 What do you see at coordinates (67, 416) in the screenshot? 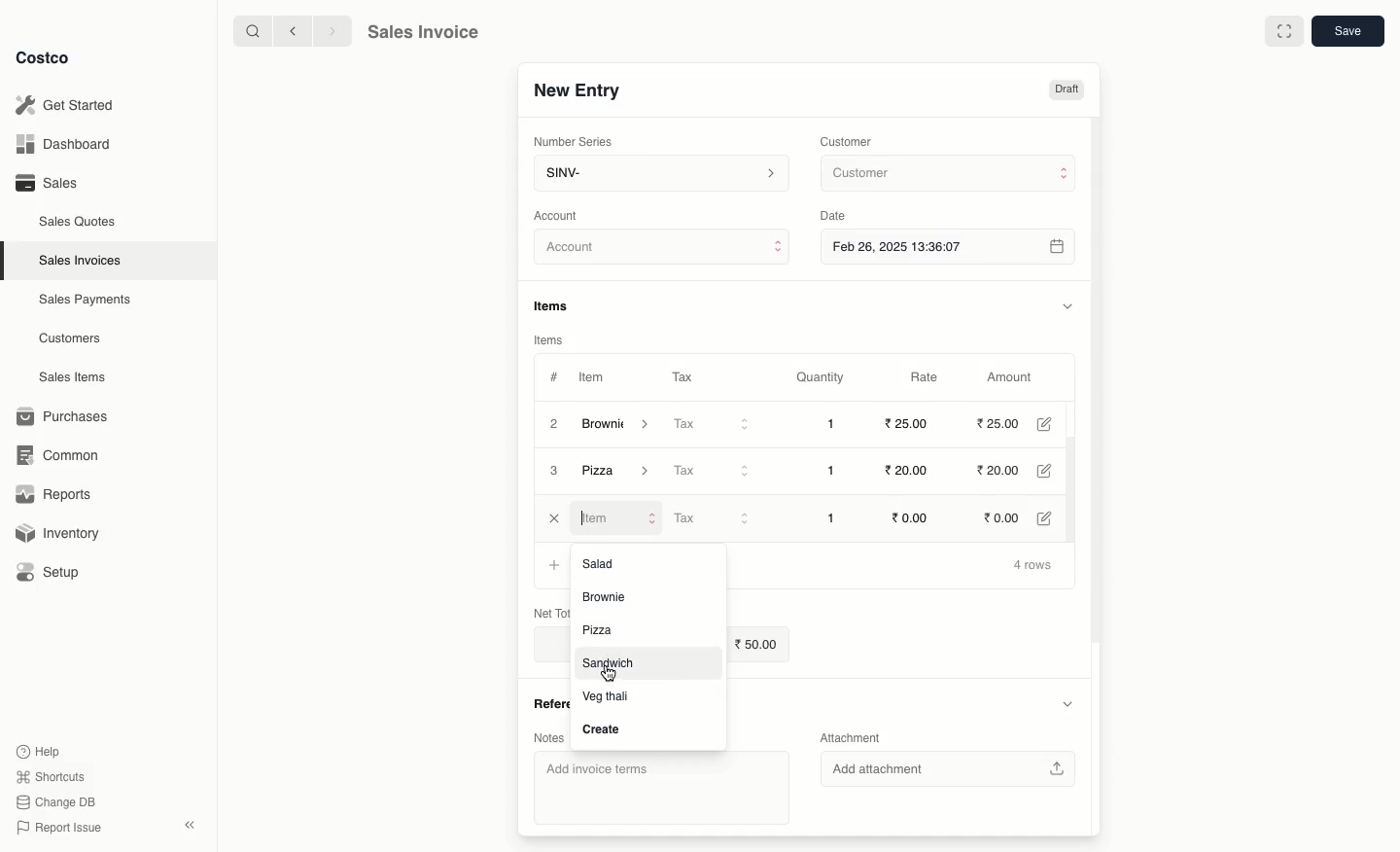
I see `Purchases` at bounding box center [67, 416].